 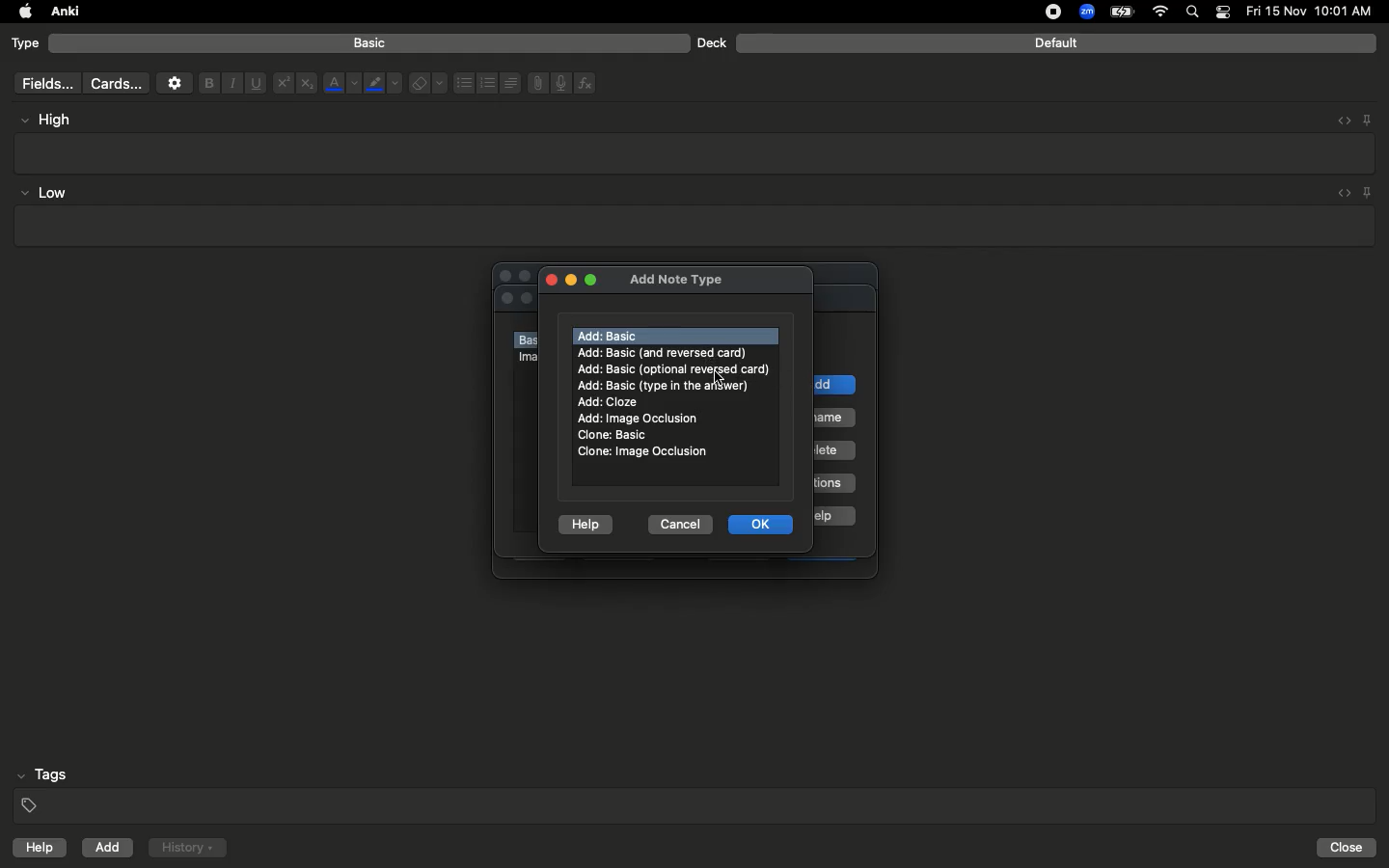 What do you see at coordinates (611, 435) in the screenshot?
I see `Close basic` at bounding box center [611, 435].